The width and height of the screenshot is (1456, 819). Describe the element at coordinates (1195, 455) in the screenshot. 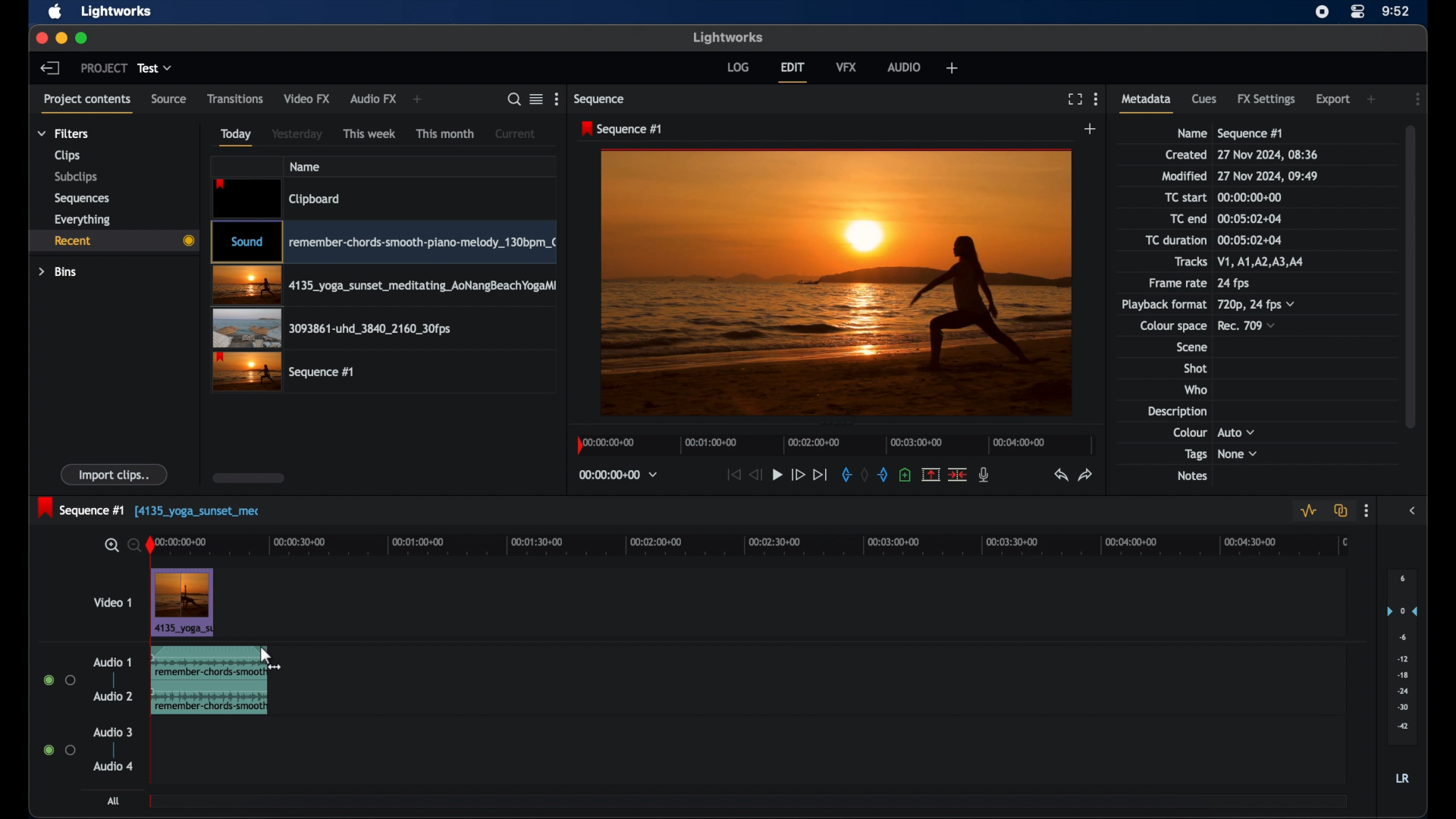

I see `tags` at that location.